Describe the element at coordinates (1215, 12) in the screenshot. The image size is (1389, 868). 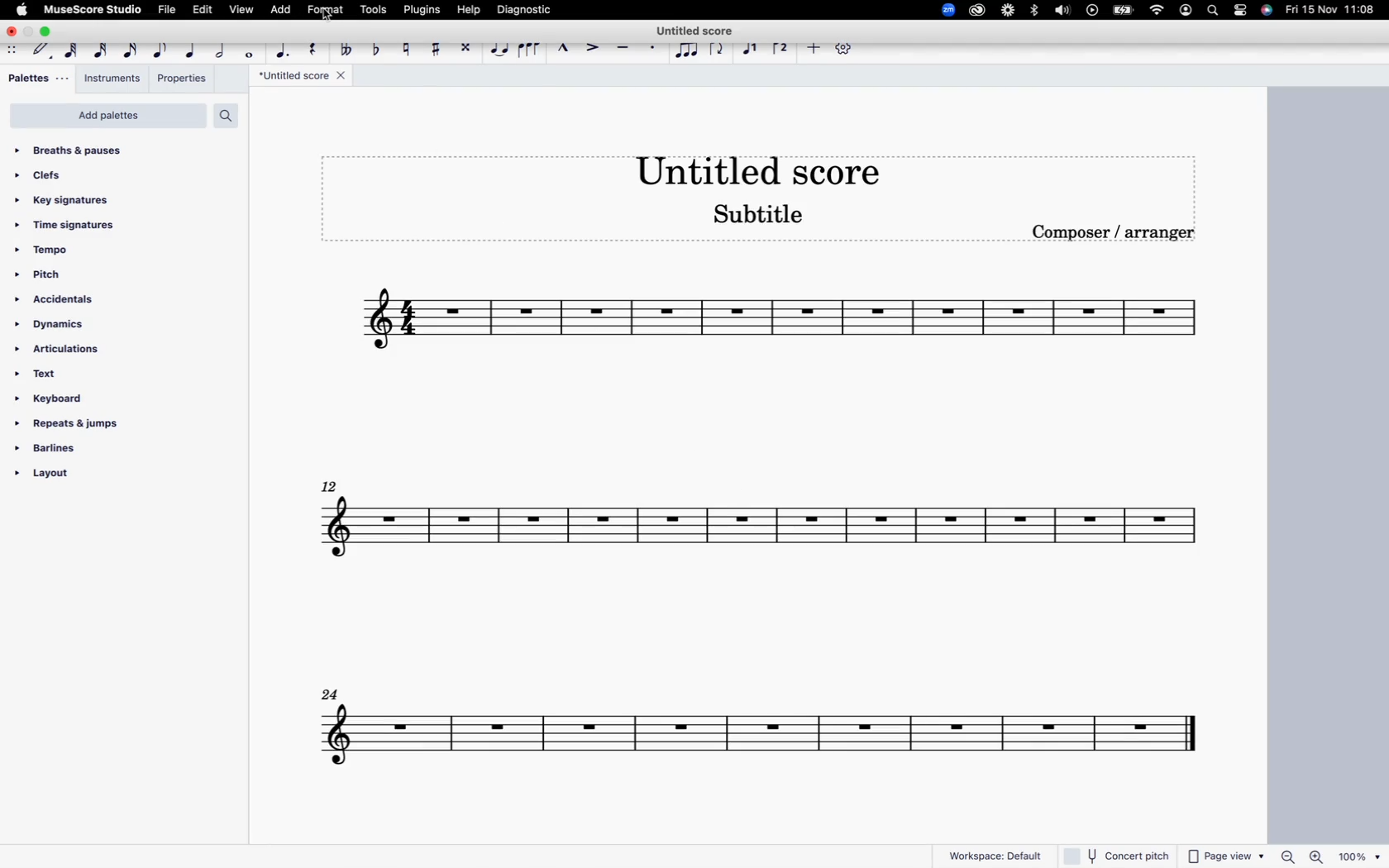
I see `search` at that location.